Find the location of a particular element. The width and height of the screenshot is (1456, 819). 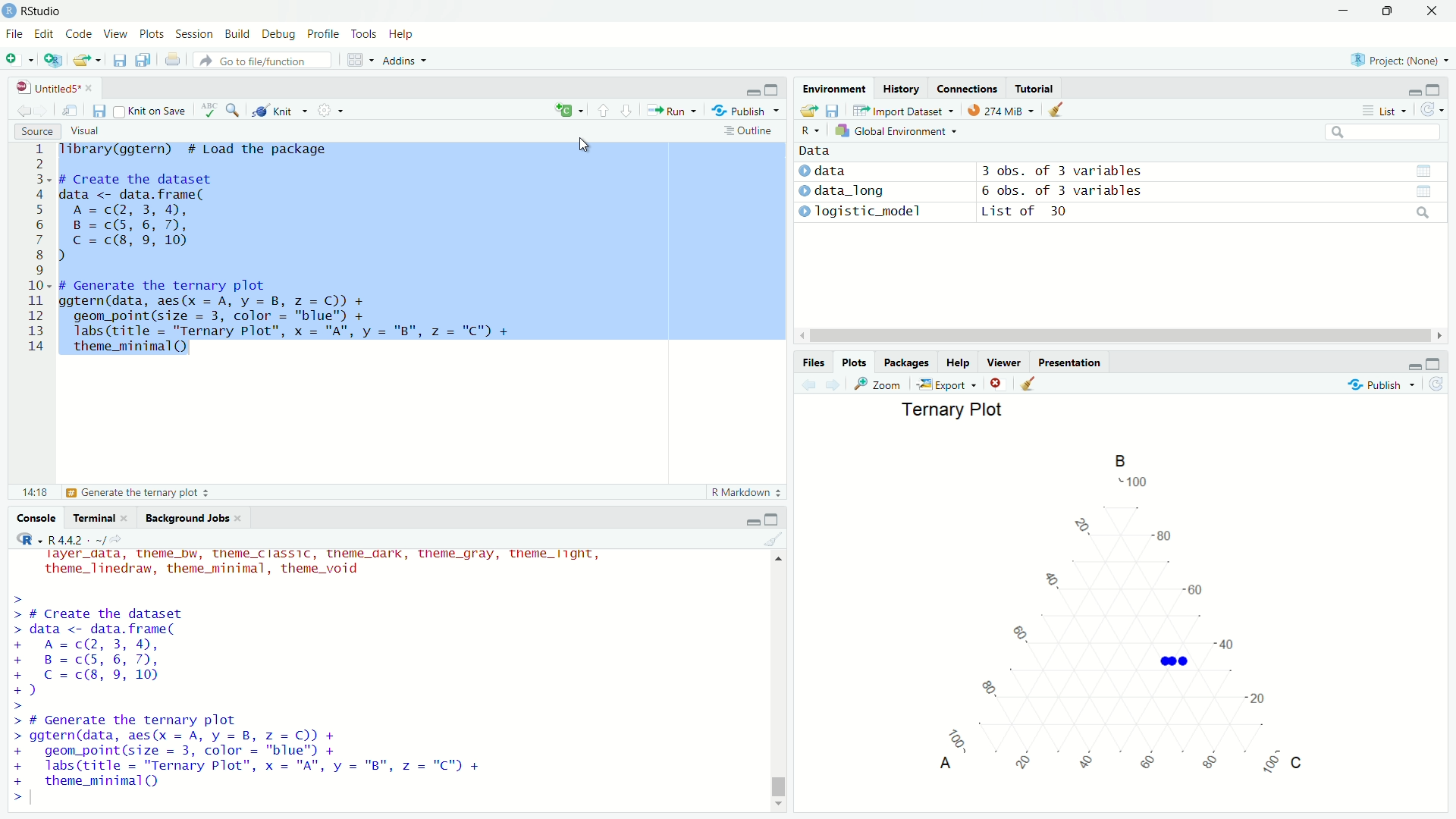

back is located at coordinates (21, 108).